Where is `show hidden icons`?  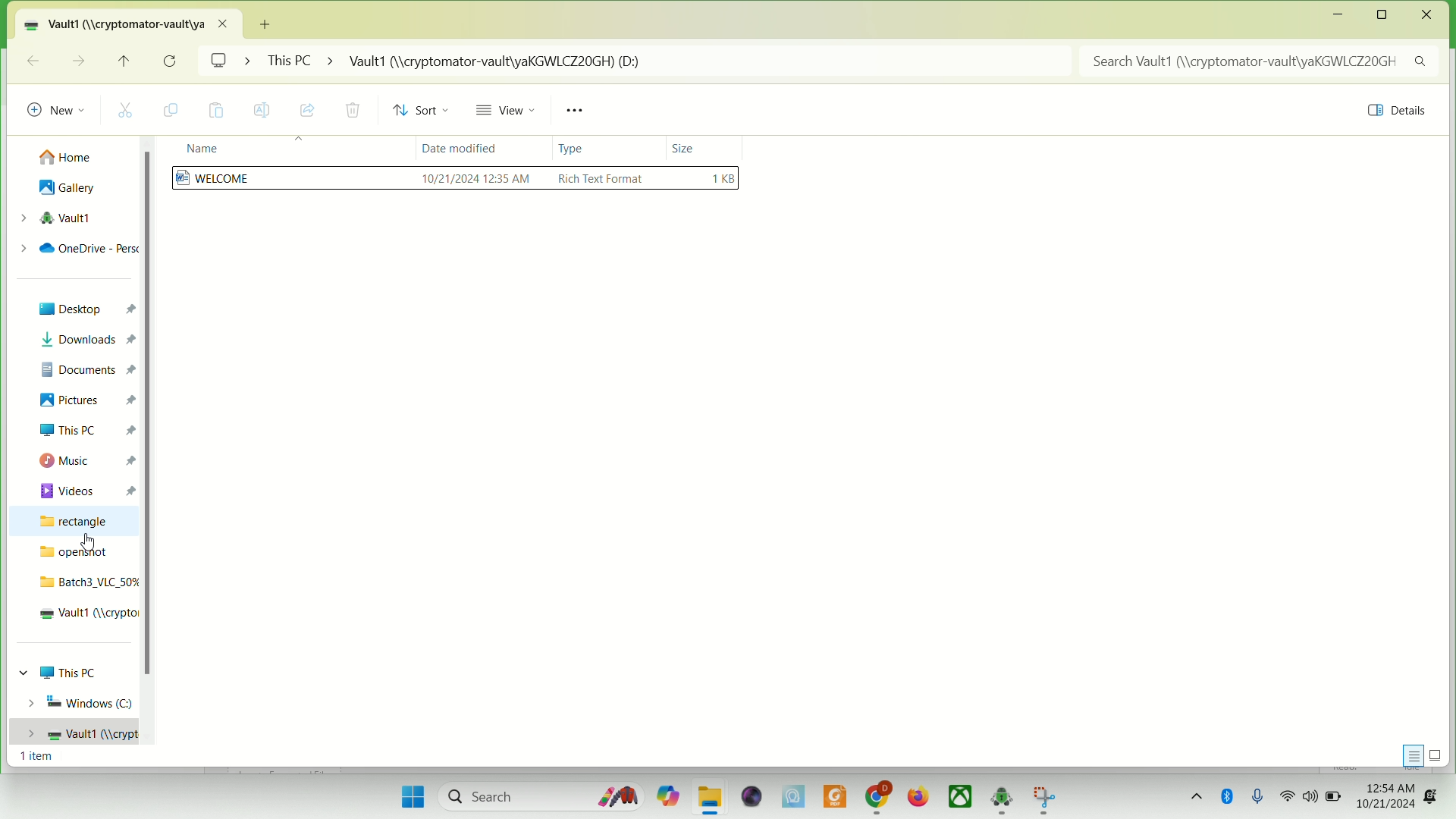 show hidden icons is located at coordinates (1191, 792).